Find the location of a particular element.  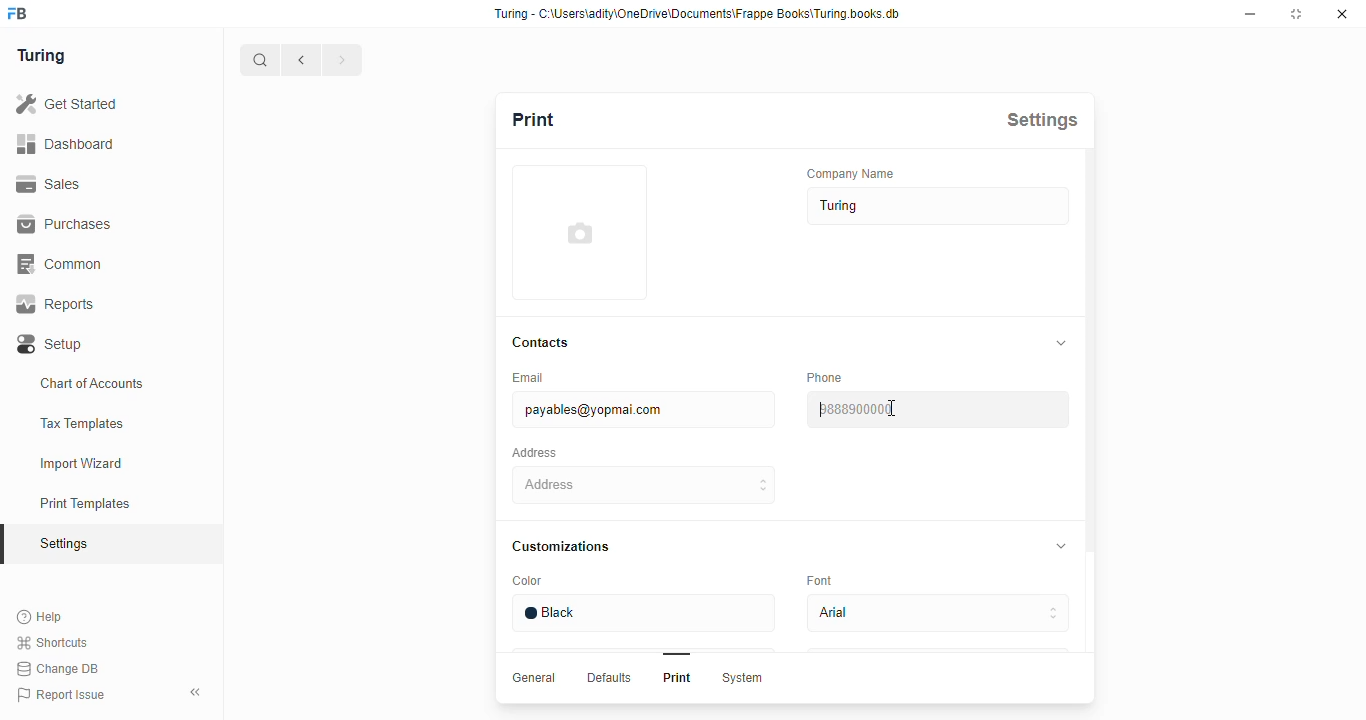

Common is located at coordinates (108, 262).